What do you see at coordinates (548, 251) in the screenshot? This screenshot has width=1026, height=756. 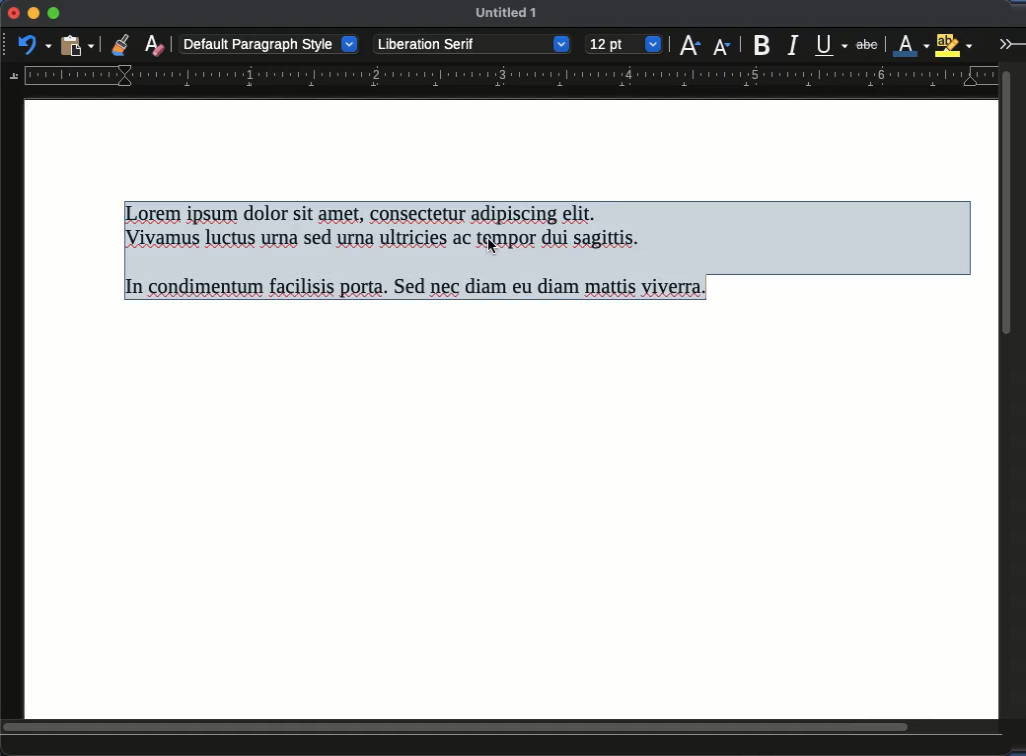 I see `Here is the transcription of the text:  ---  Lorem ipsum dolor sit amet, consectetur adipiscing elit.   Vivamus luctus urna sed urna ultricies ac tempor dui sagittis.    In condimentum facilisis porta. Sed nec diam eu diam mattis viverra.` at bounding box center [548, 251].